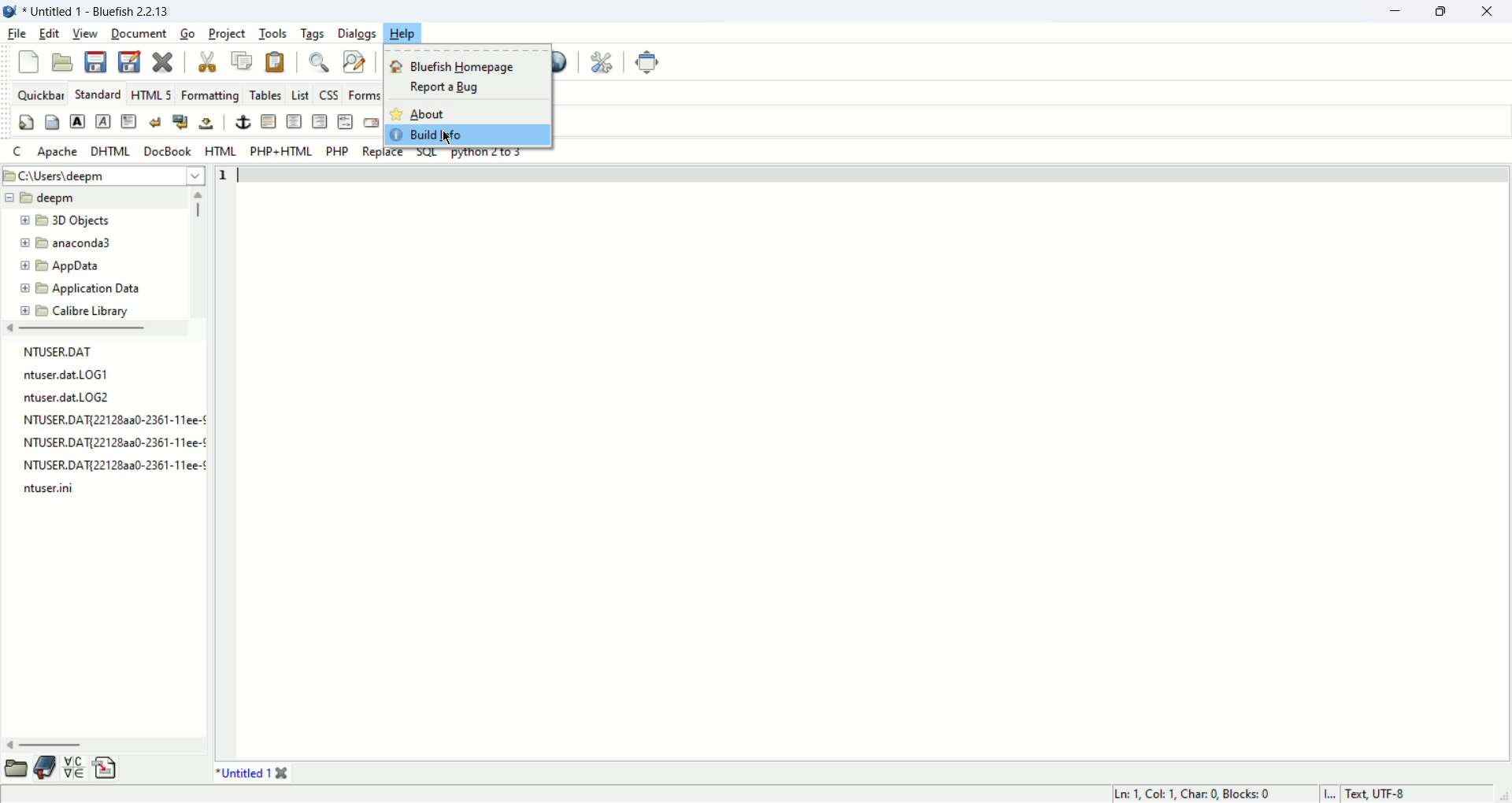 This screenshot has width=1512, height=803. I want to click on bluefish homepage, so click(456, 65).